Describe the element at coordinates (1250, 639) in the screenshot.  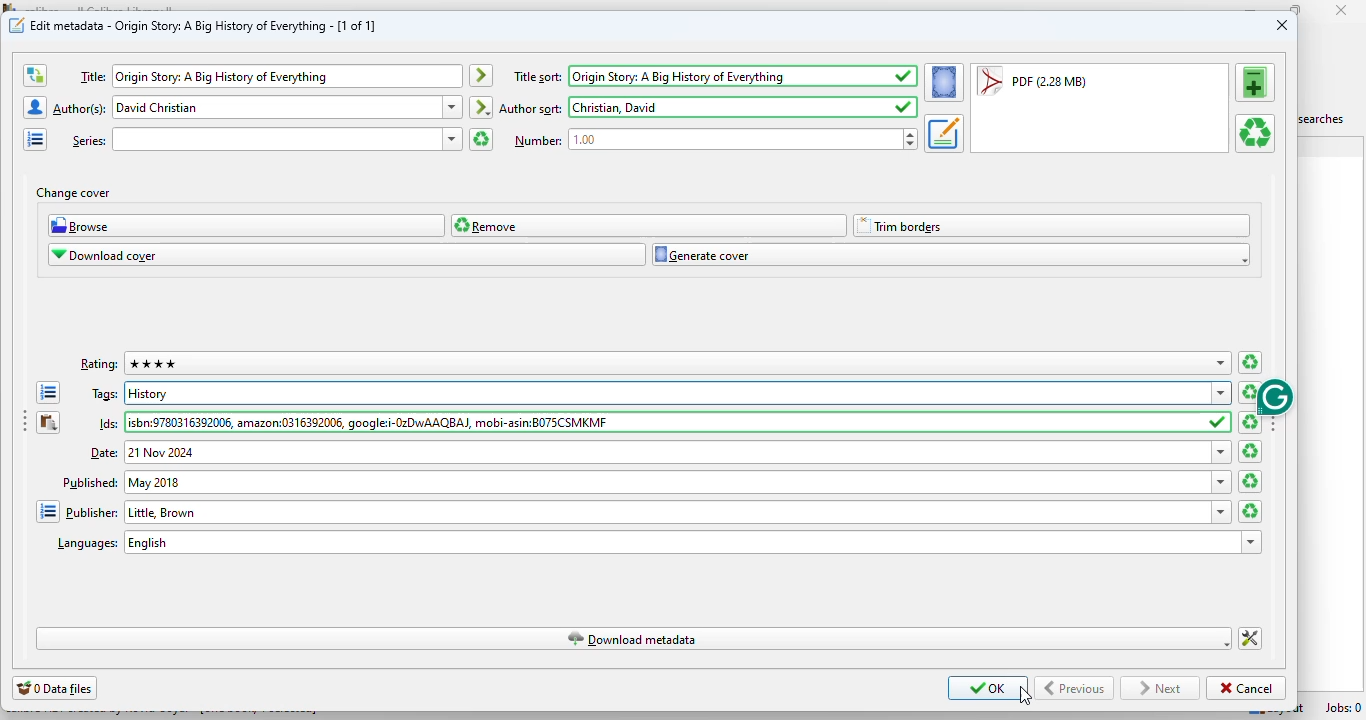
I see `change how calibre downloads metadata` at that location.